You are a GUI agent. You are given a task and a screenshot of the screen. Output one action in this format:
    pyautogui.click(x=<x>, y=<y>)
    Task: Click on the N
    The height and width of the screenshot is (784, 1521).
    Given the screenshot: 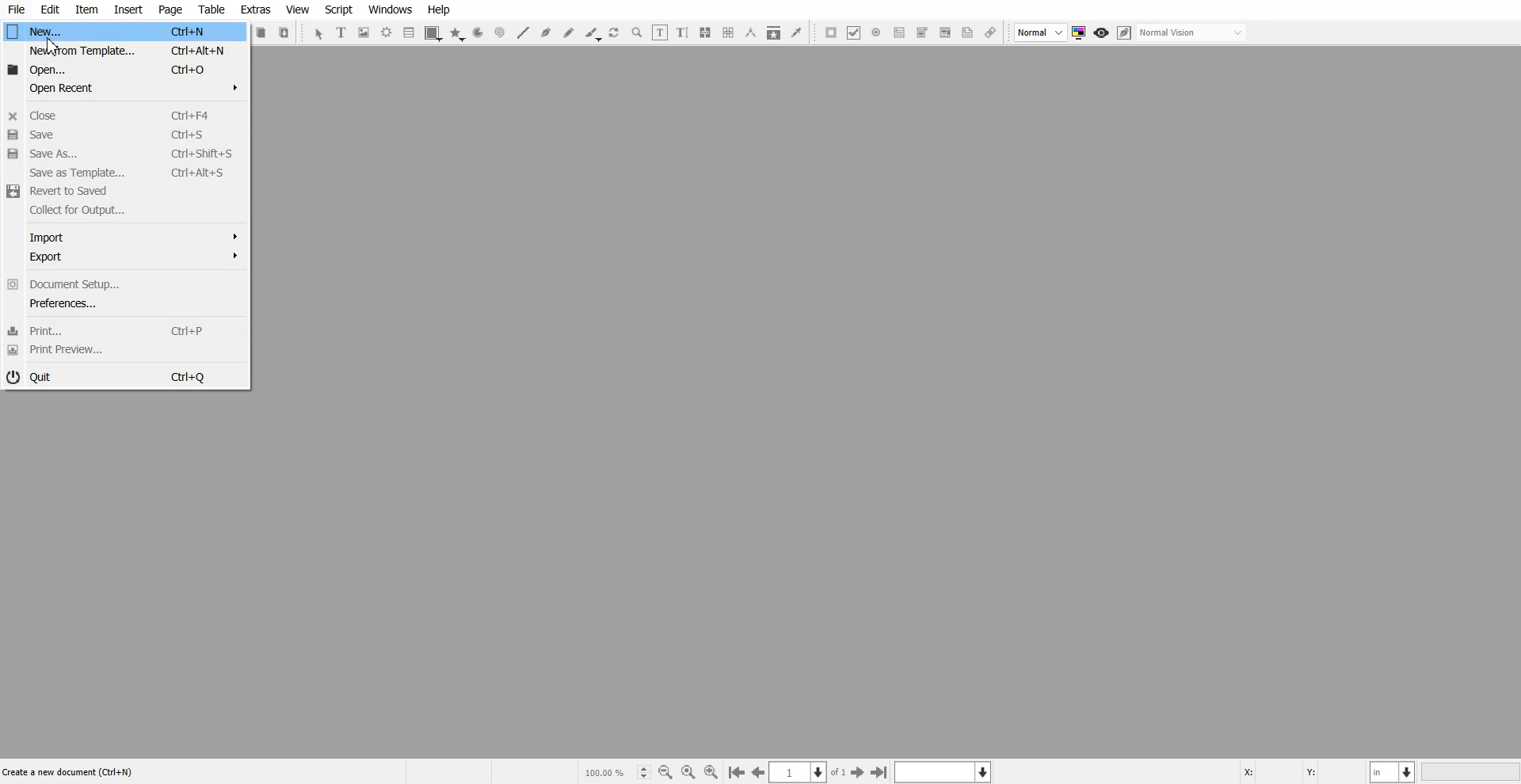 What is the action you would take?
    pyautogui.click(x=124, y=31)
    